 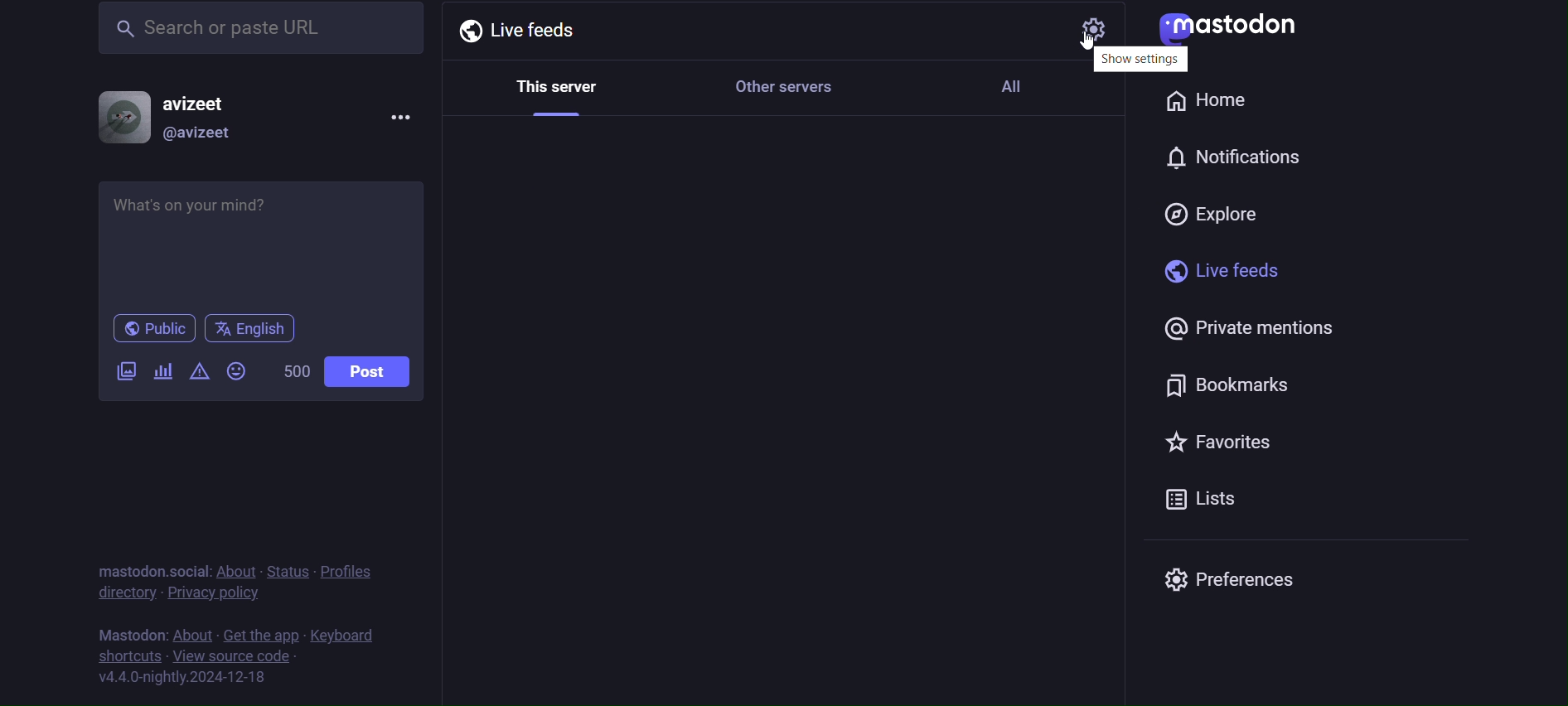 What do you see at coordinates (179, 677) in the screenshot?
I see `version` at bounding box center [179, 677].